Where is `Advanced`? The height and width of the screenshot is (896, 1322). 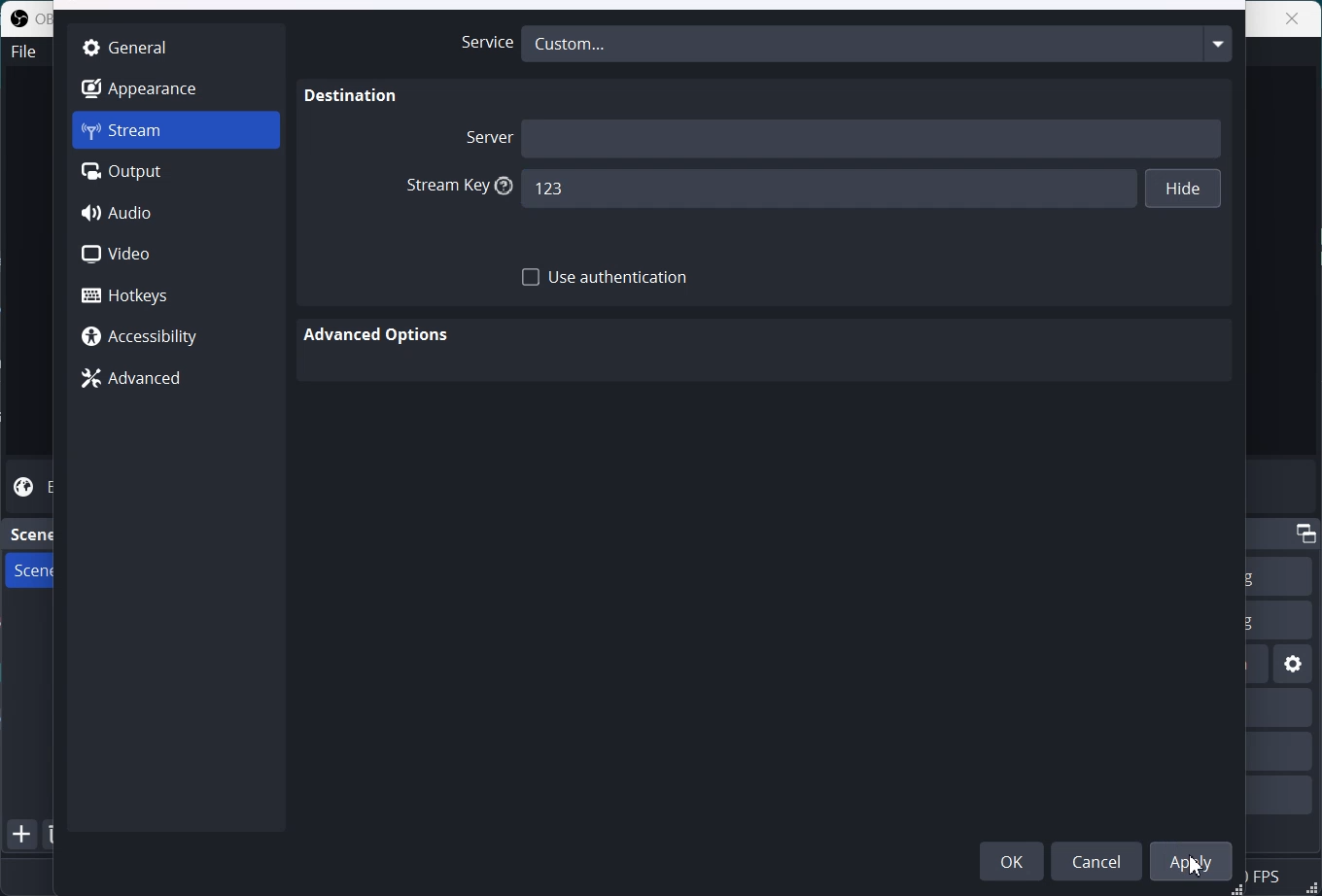 Advanced is located at coordinates (175, 379).